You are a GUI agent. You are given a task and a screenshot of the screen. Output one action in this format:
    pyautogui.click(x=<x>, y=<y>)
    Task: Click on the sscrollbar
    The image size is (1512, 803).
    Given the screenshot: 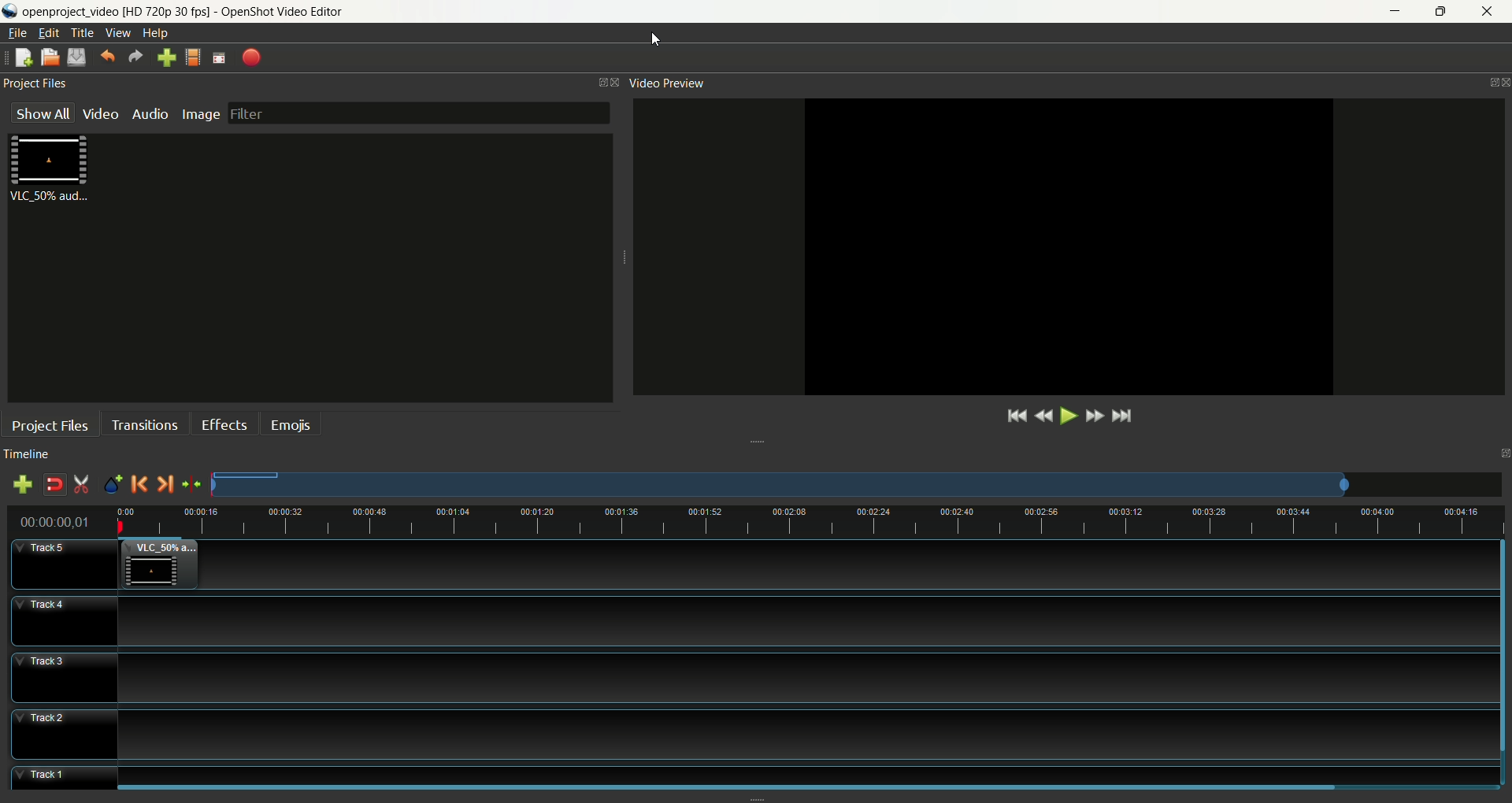 What is the action you would take?
    pyautogui.click(x=1503, y=658)
    